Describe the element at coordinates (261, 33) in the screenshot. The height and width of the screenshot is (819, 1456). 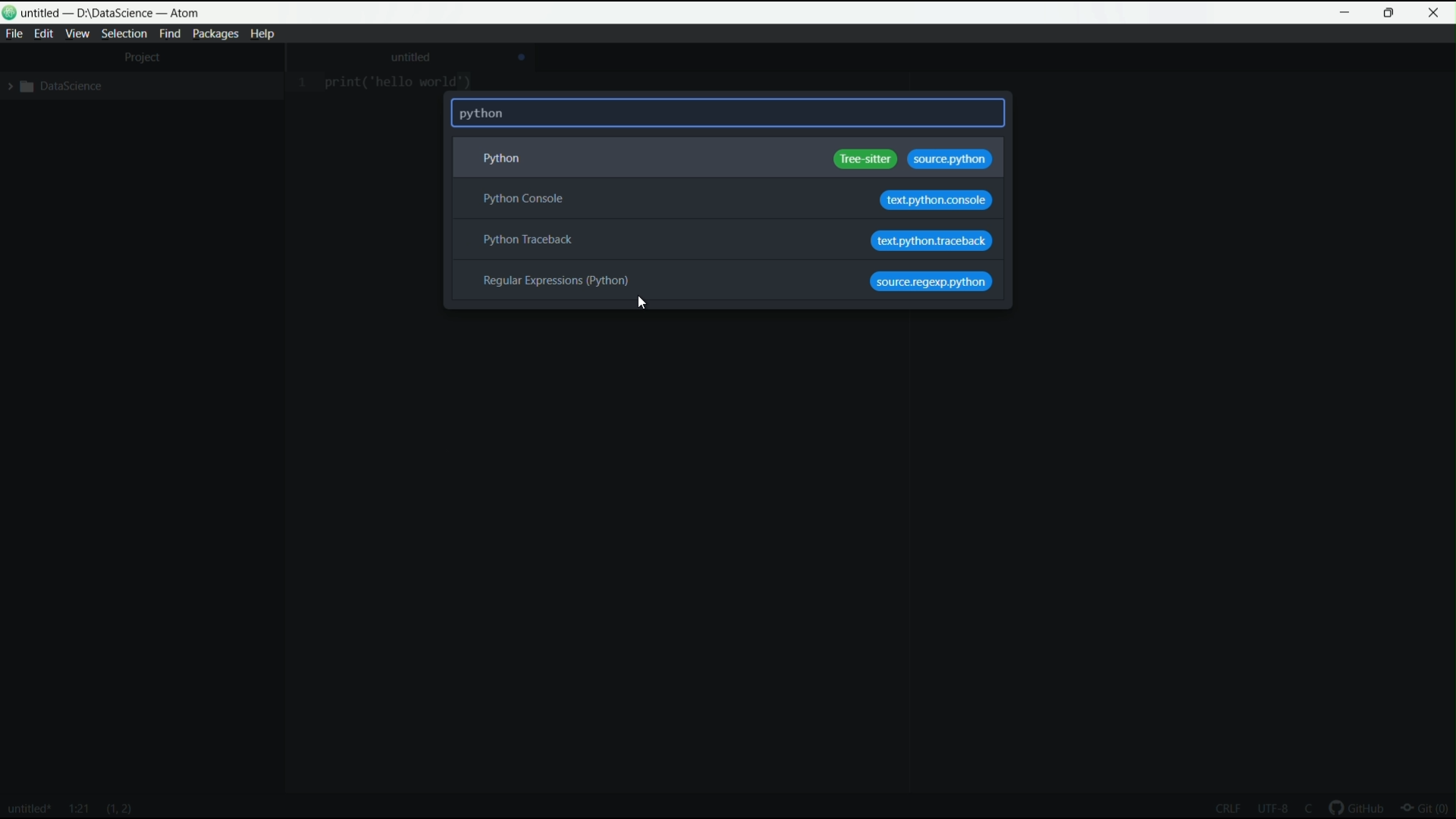
I see `help menu` at that location.